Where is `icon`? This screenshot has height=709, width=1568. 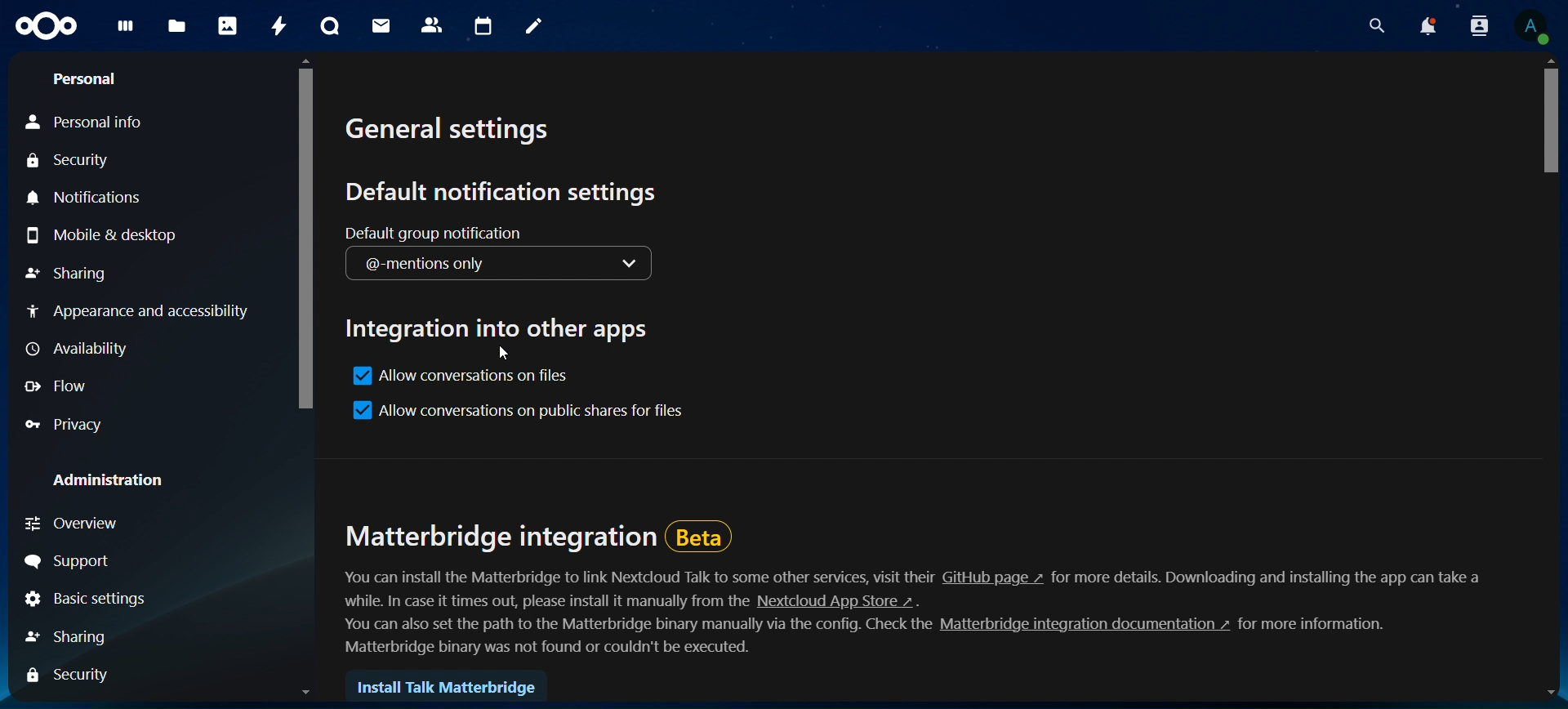
icon is located at coordinates (49, 30).